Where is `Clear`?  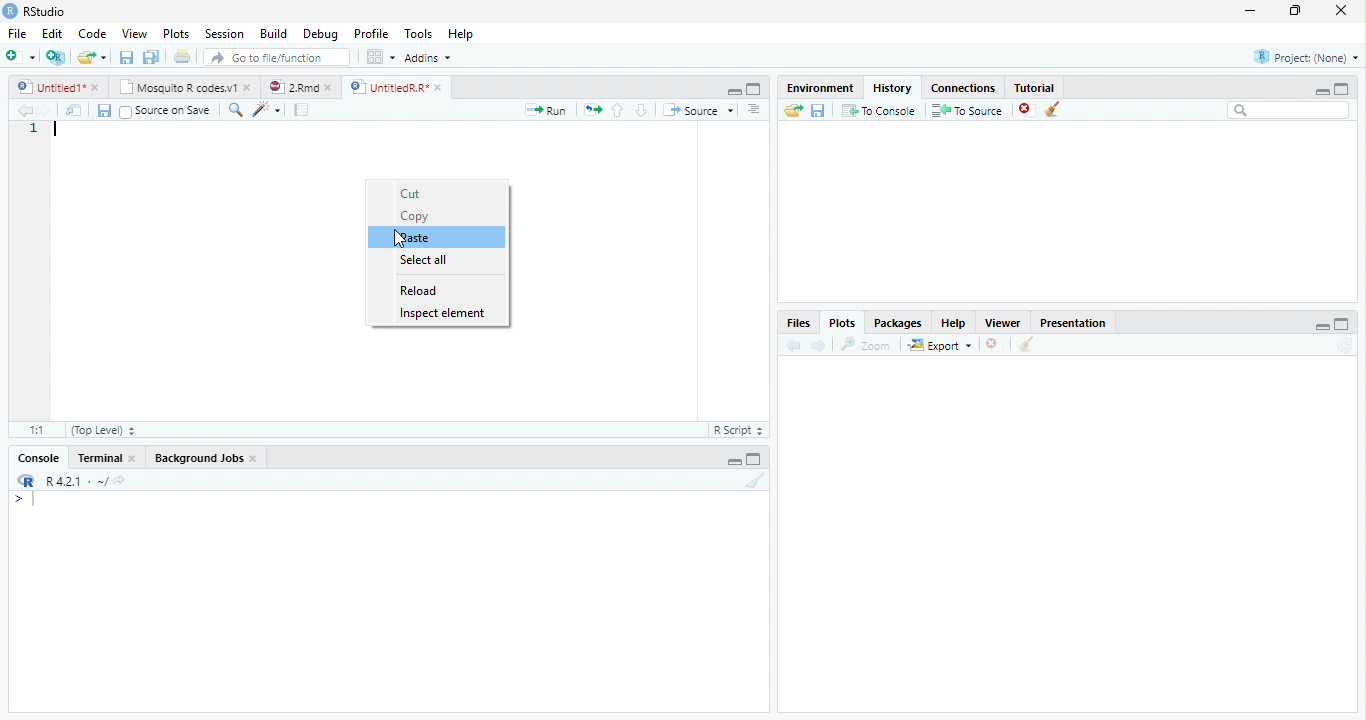
Clear is located at coordinates (756, 480).